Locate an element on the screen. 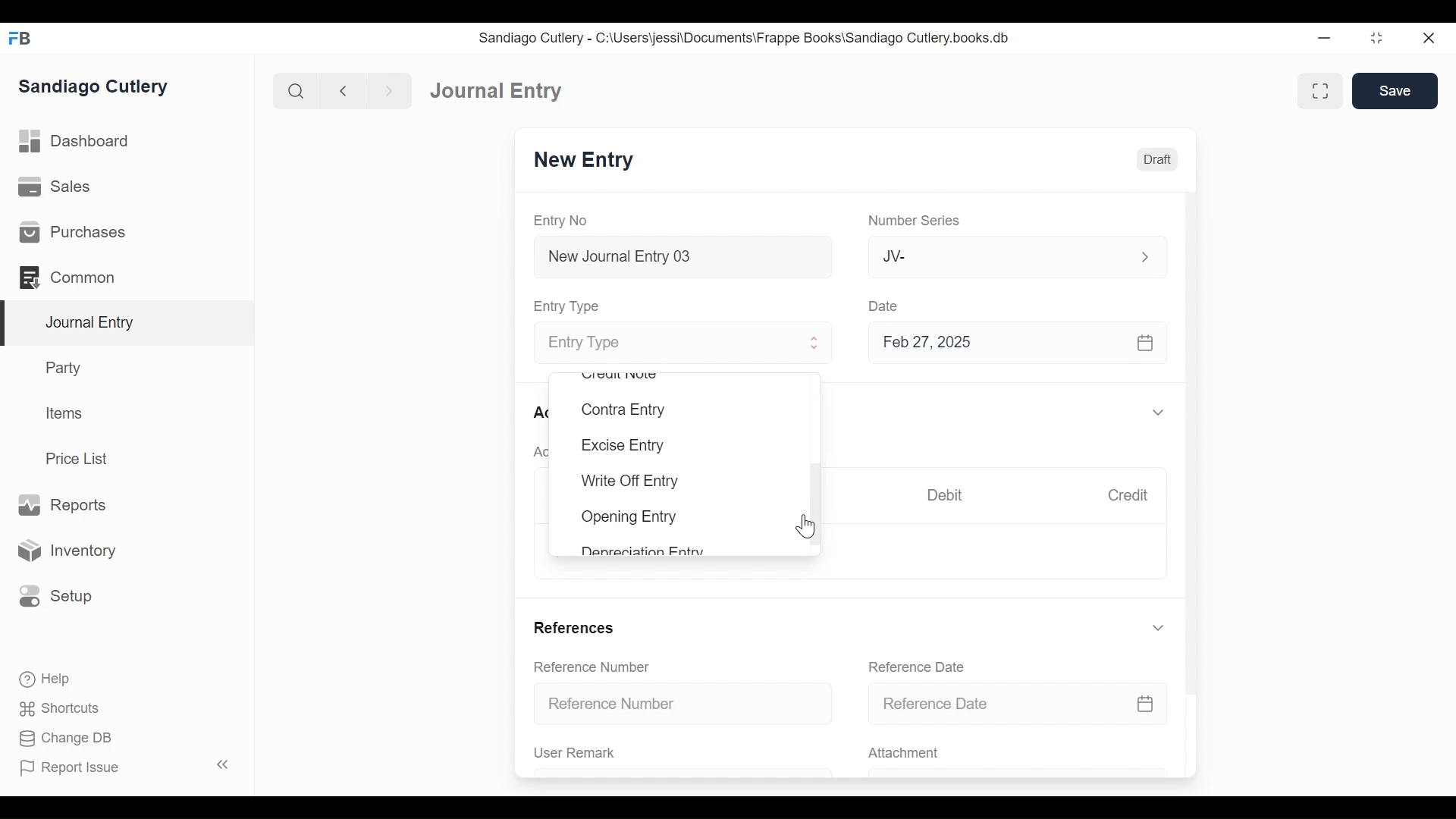 Image resolution: width=1456 pixels, height=819 pixels. Items is located at coordinates (62, 413).